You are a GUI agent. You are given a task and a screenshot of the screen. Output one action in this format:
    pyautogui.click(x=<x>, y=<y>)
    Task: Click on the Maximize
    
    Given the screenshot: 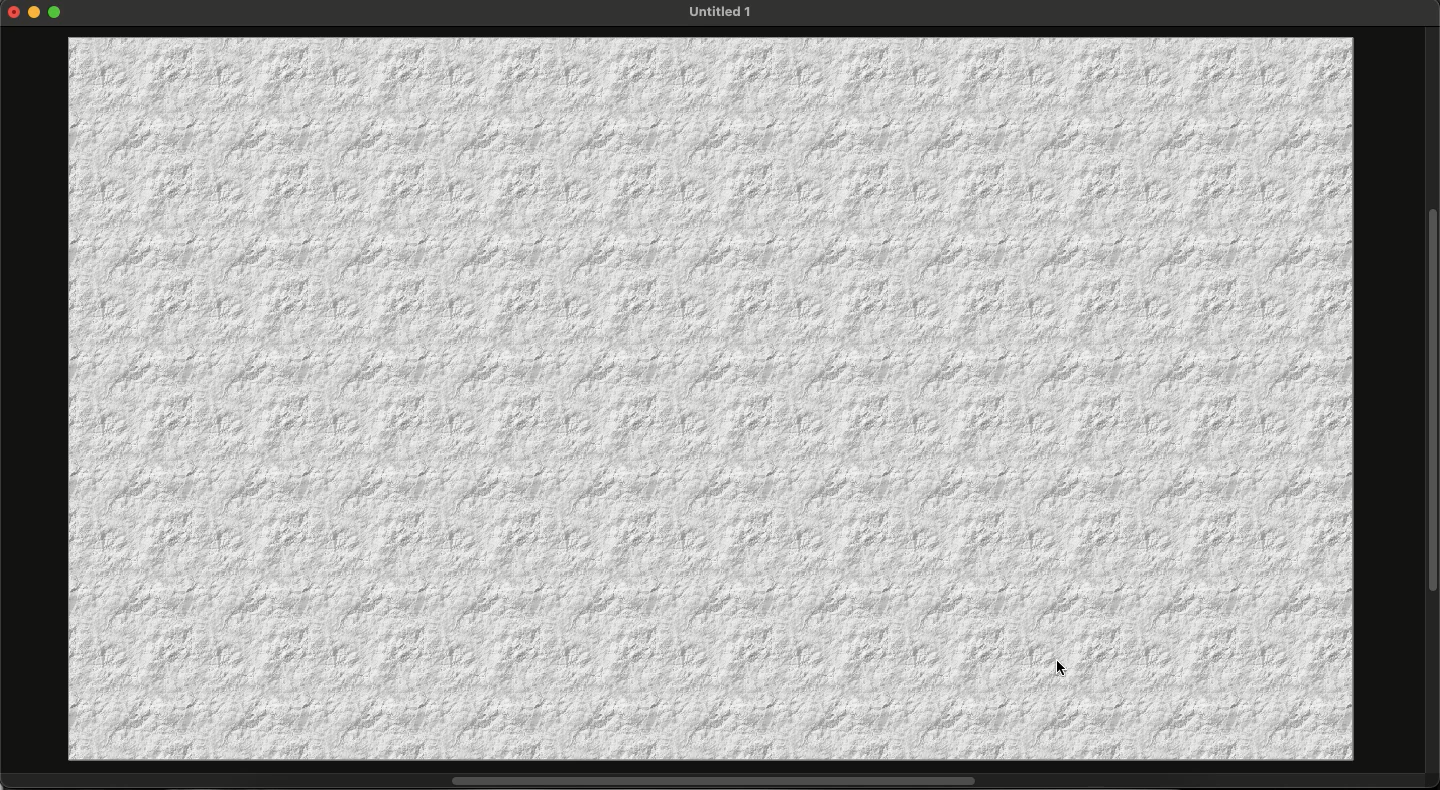 What is the action you would take?
    pyautogui.click(x=57, y=14)
    